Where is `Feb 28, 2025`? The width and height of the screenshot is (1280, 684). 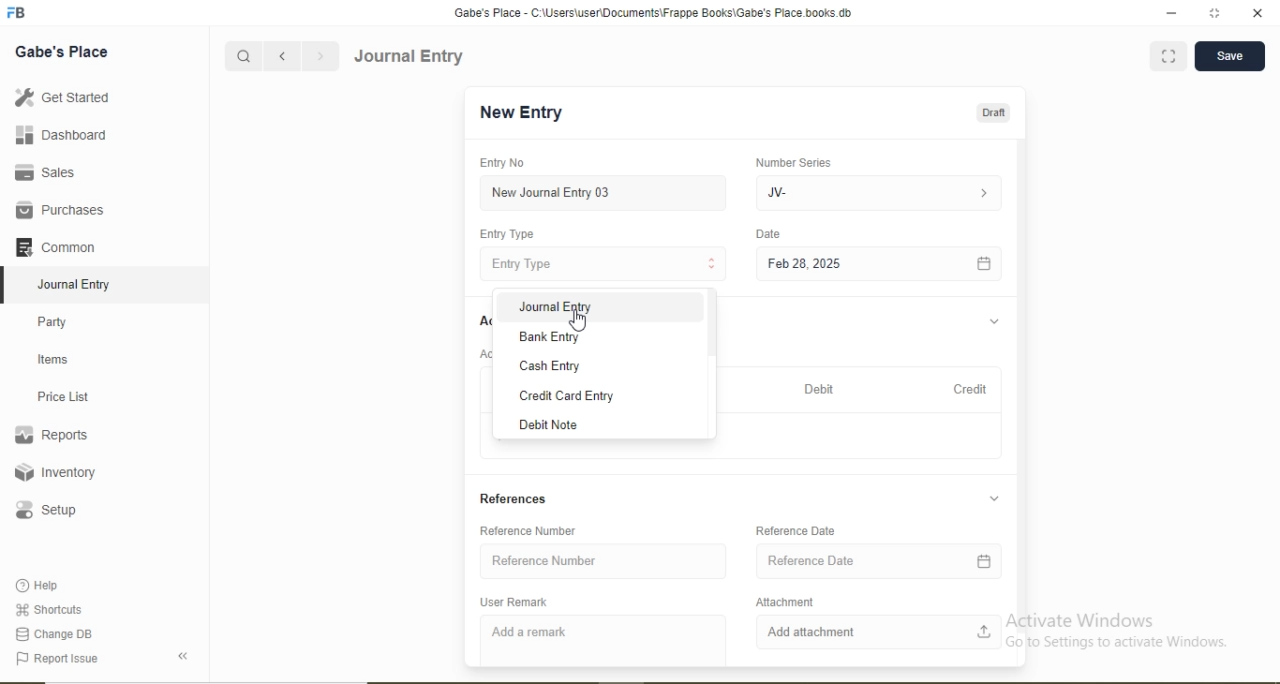 Feb 28, 2025 is located at coordinates (804, 263).